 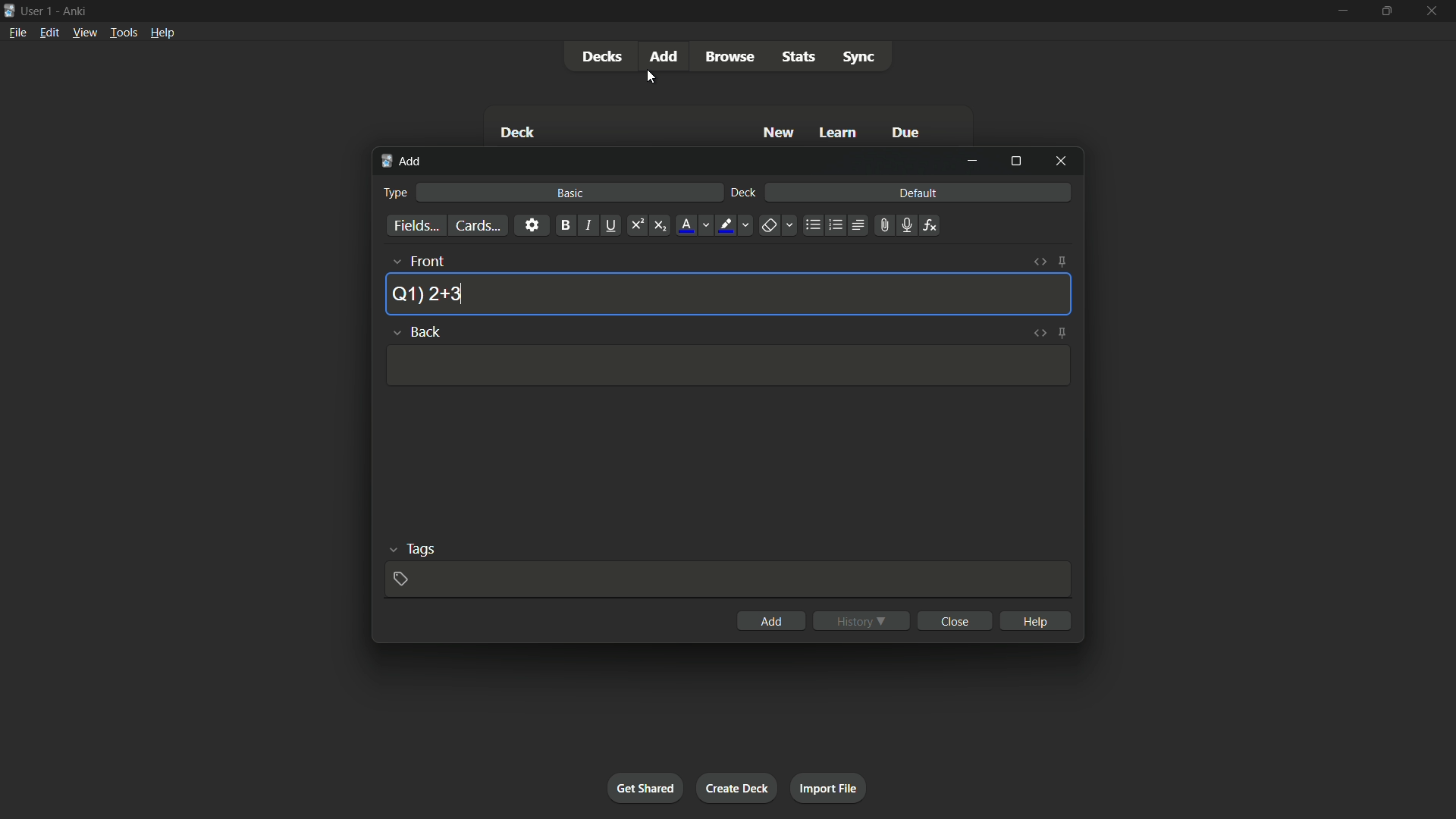 I want to click on equations, so click(x=930, y=225).